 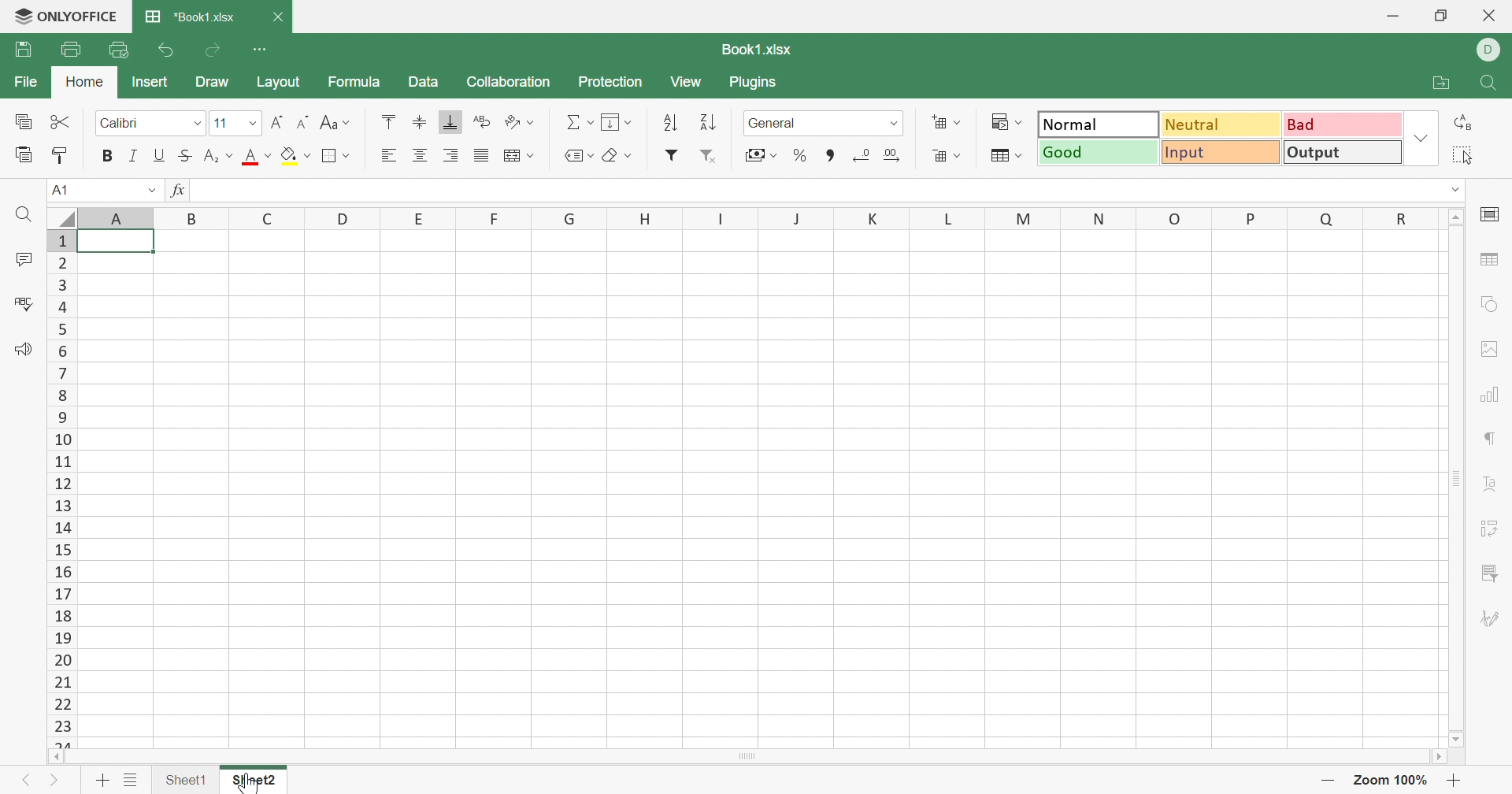 What do you see at coordinates (201, 123) in the screenshot?
I see `Drop Down` at bounding box center [201, 123].